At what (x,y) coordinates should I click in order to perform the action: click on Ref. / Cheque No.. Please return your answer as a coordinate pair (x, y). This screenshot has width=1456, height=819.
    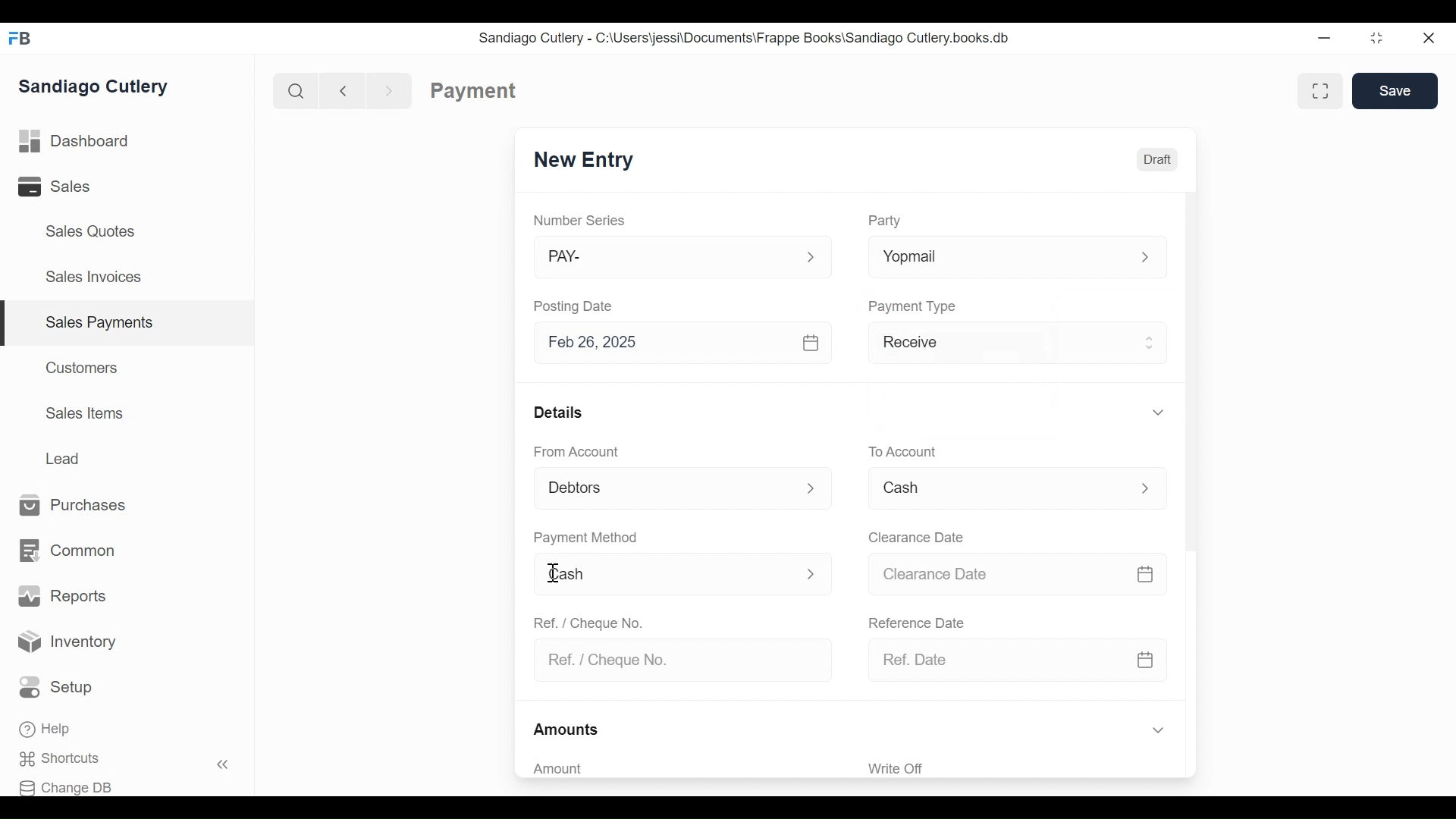
    Looking at the image, I should click on (676, 661).